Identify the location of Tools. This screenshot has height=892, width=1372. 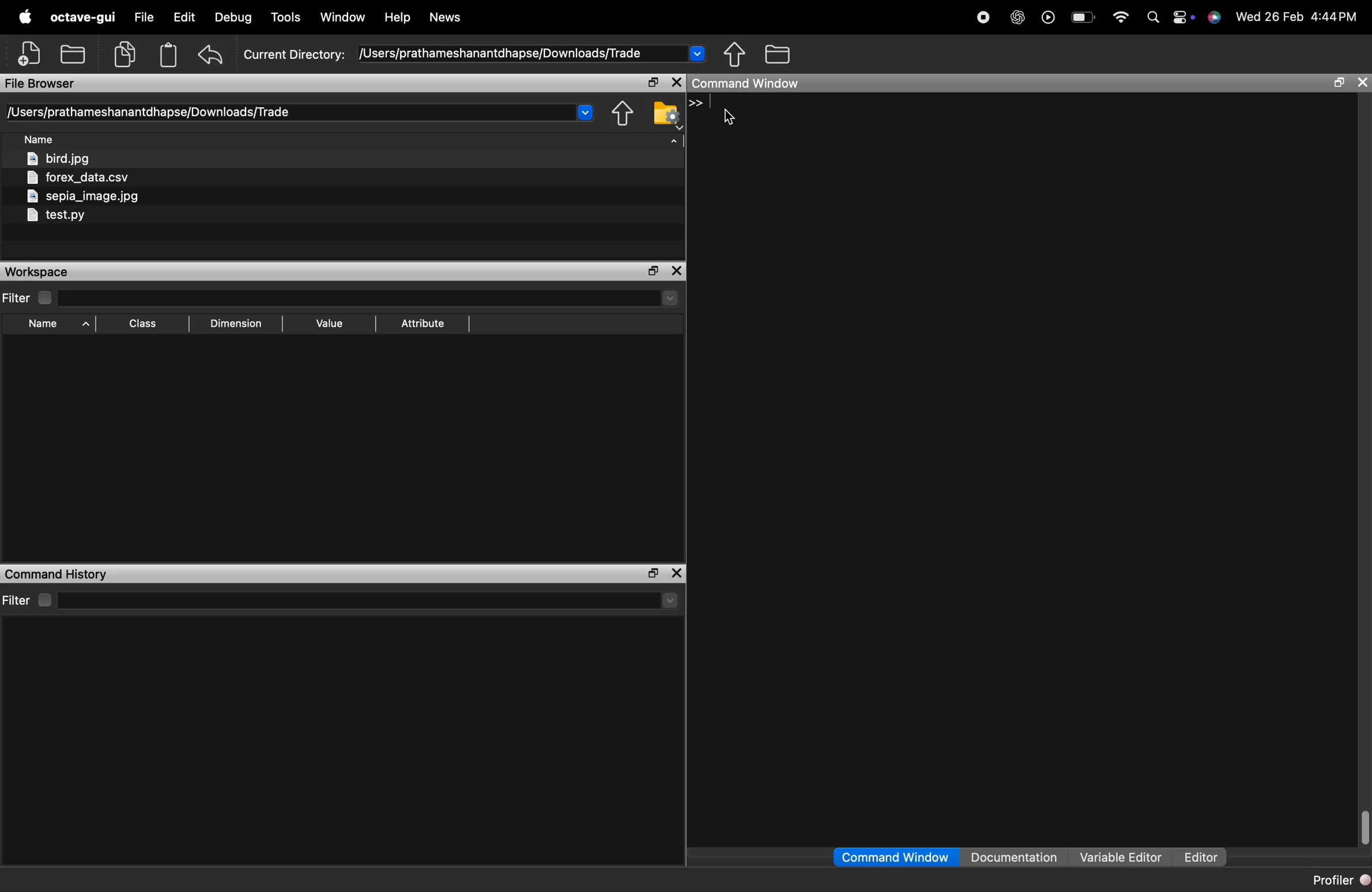
(287, 17).